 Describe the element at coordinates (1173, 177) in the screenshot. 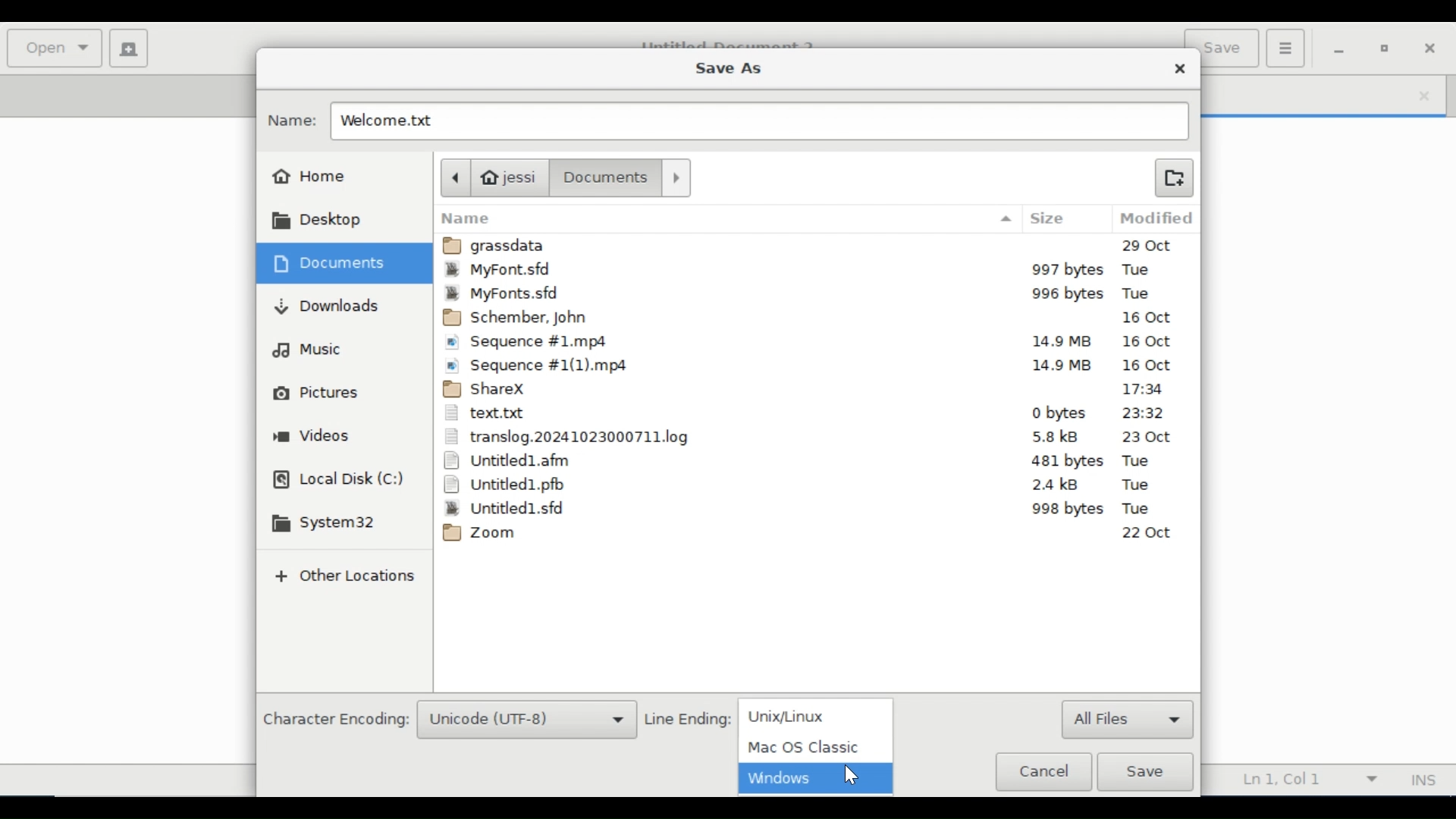

I see `Create Folder` at that location.